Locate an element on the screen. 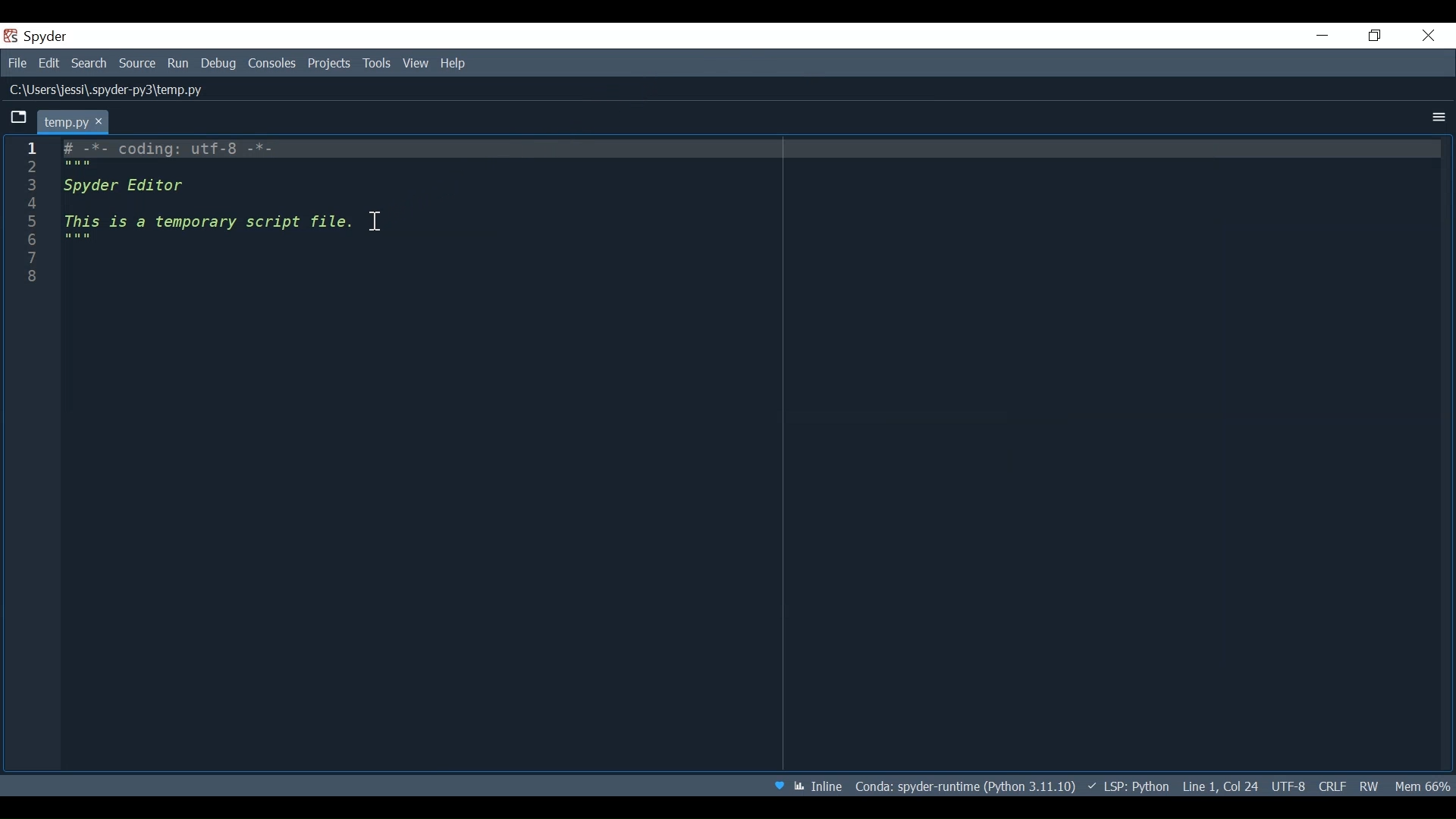  More Options is located at coordinates (1437, 117).